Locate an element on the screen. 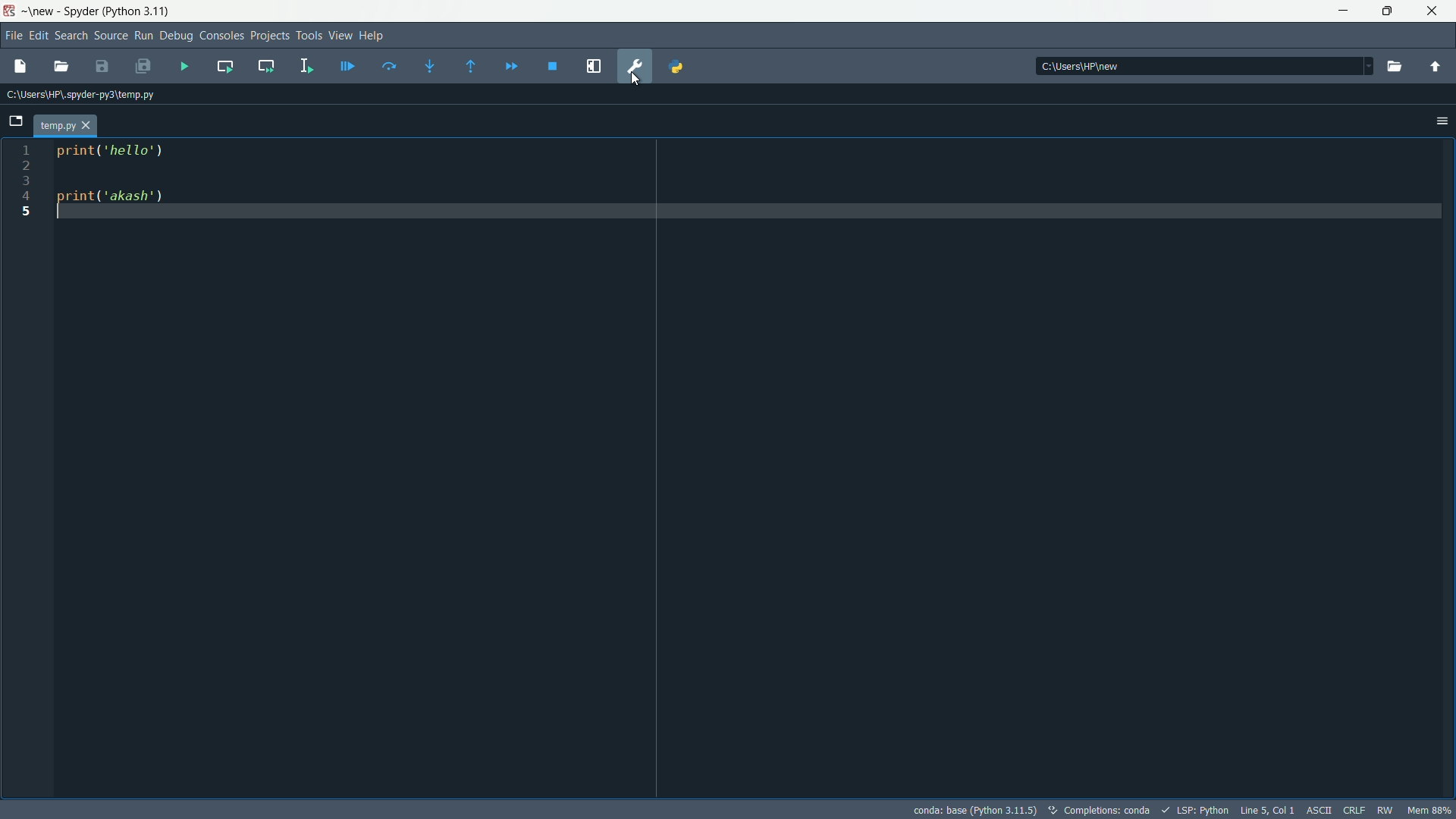  close app is located at coordinates (1432, 11).